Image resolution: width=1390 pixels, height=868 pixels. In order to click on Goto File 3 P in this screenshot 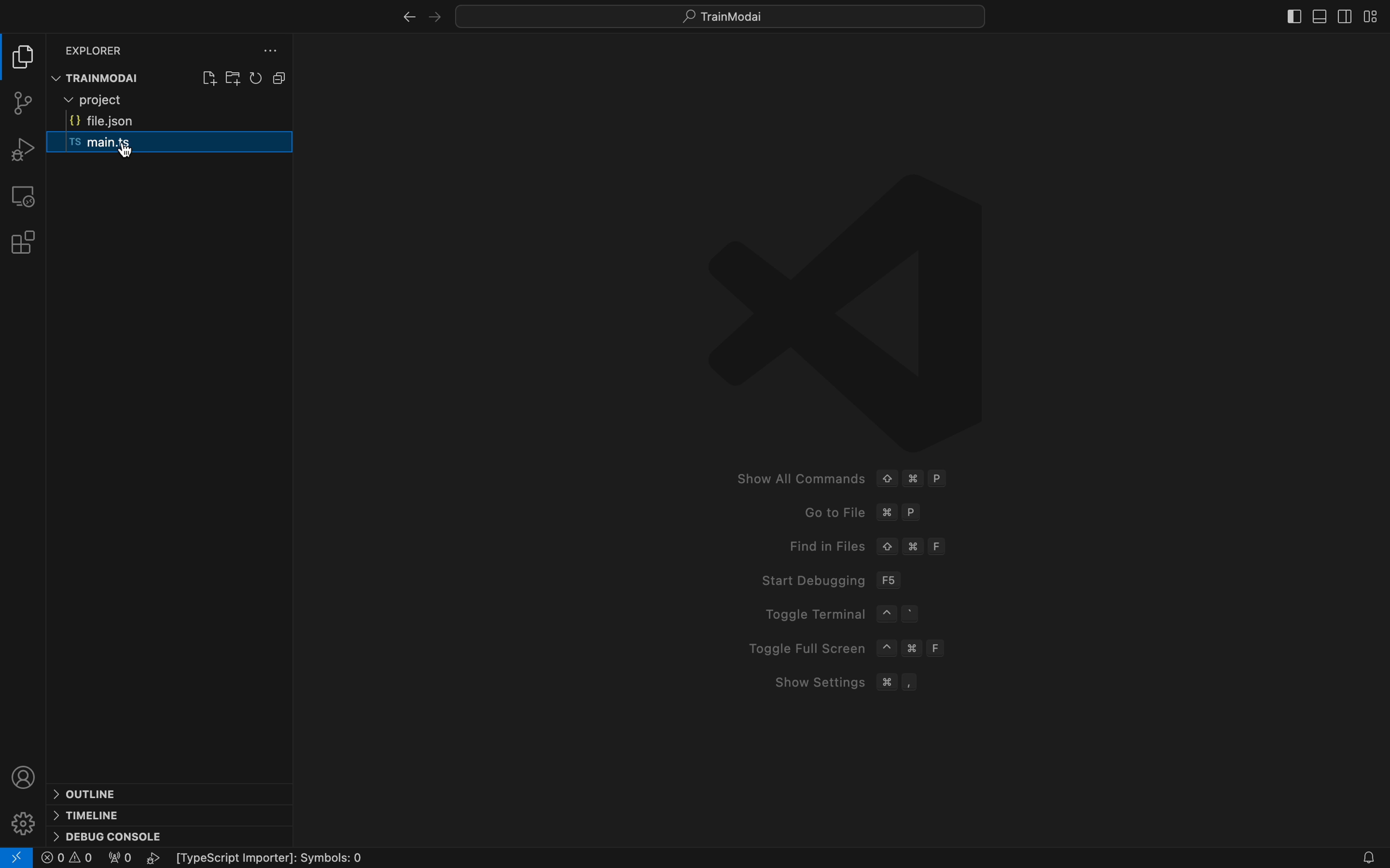, I will do `click(852, 513)`.